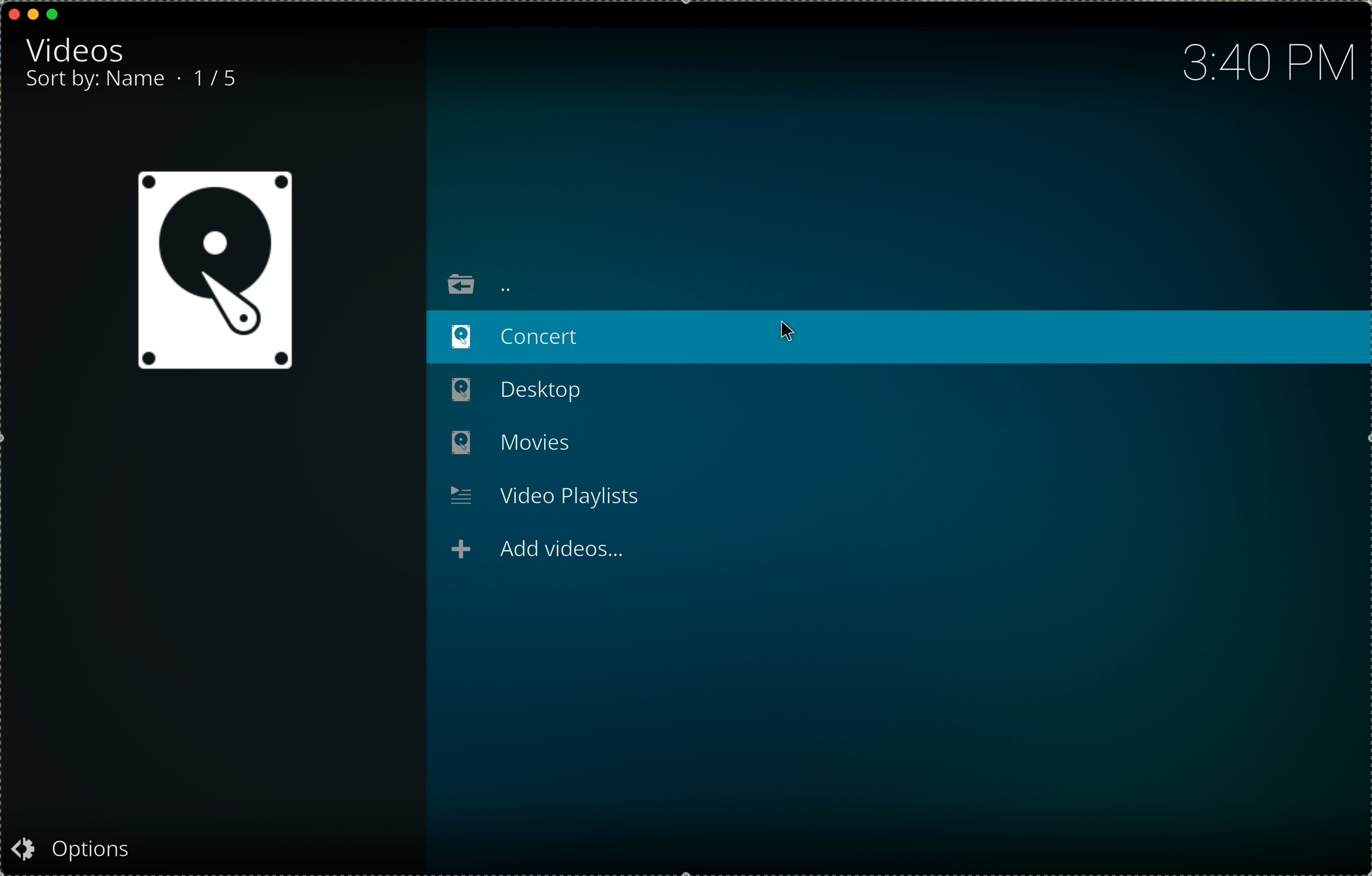 The height and width of the screenshot is (876, 1372). Describe the element at coordinates (15, 14) in the screenshot. I see `close` at that location.